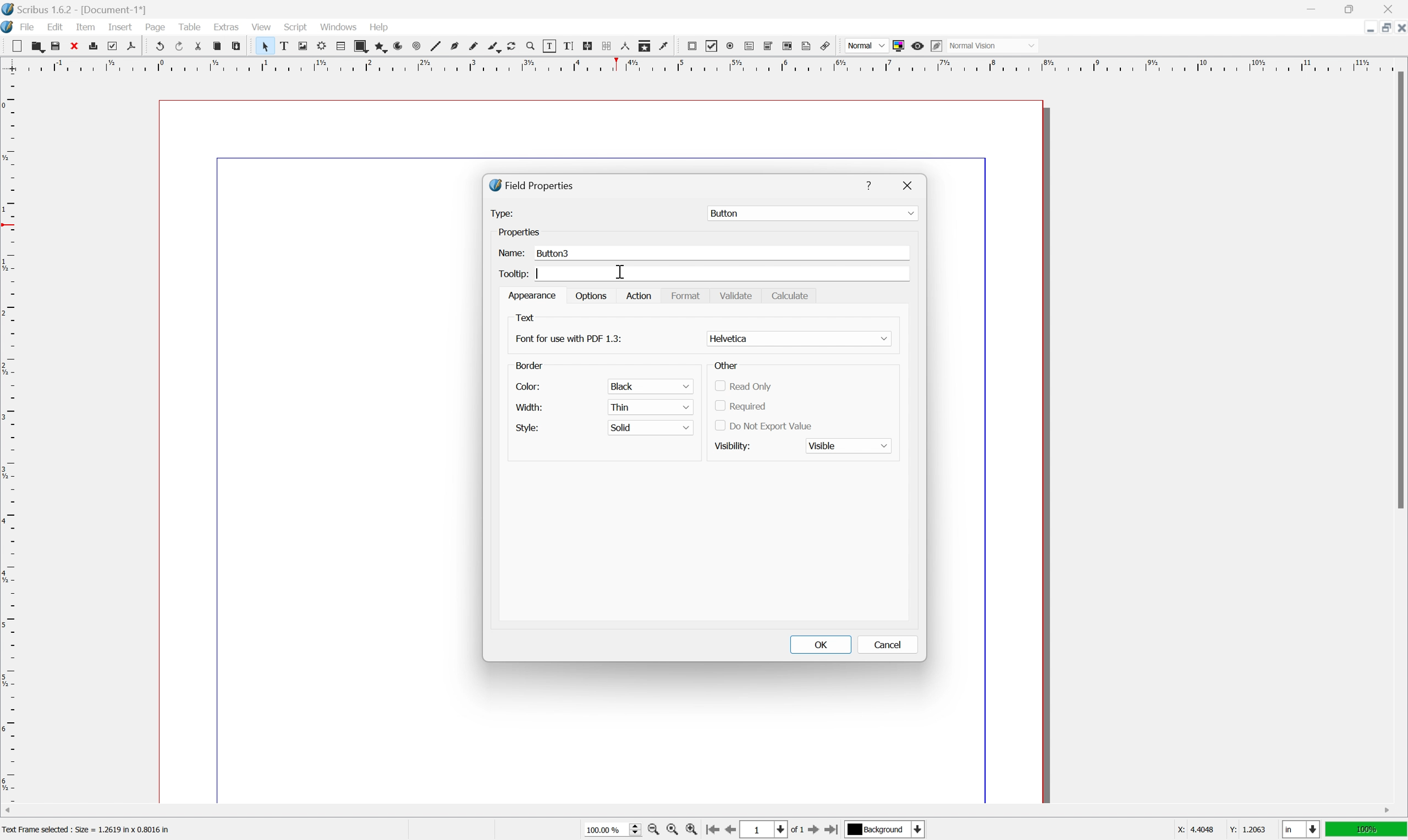 The image size is (1408, 840). I want to click on redo, so click(181, 46).